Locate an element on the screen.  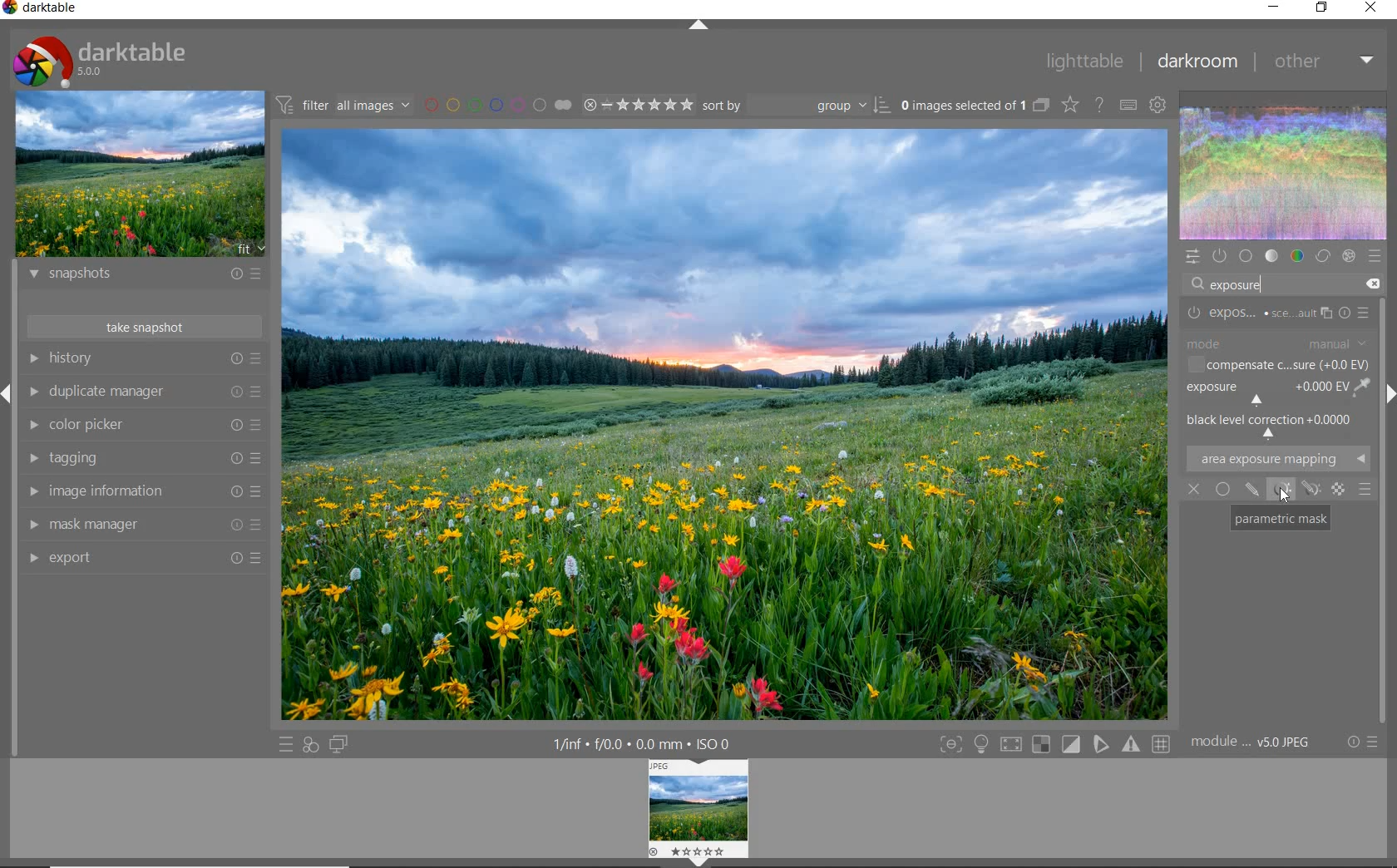
image information is located at coordinates (143, 491).